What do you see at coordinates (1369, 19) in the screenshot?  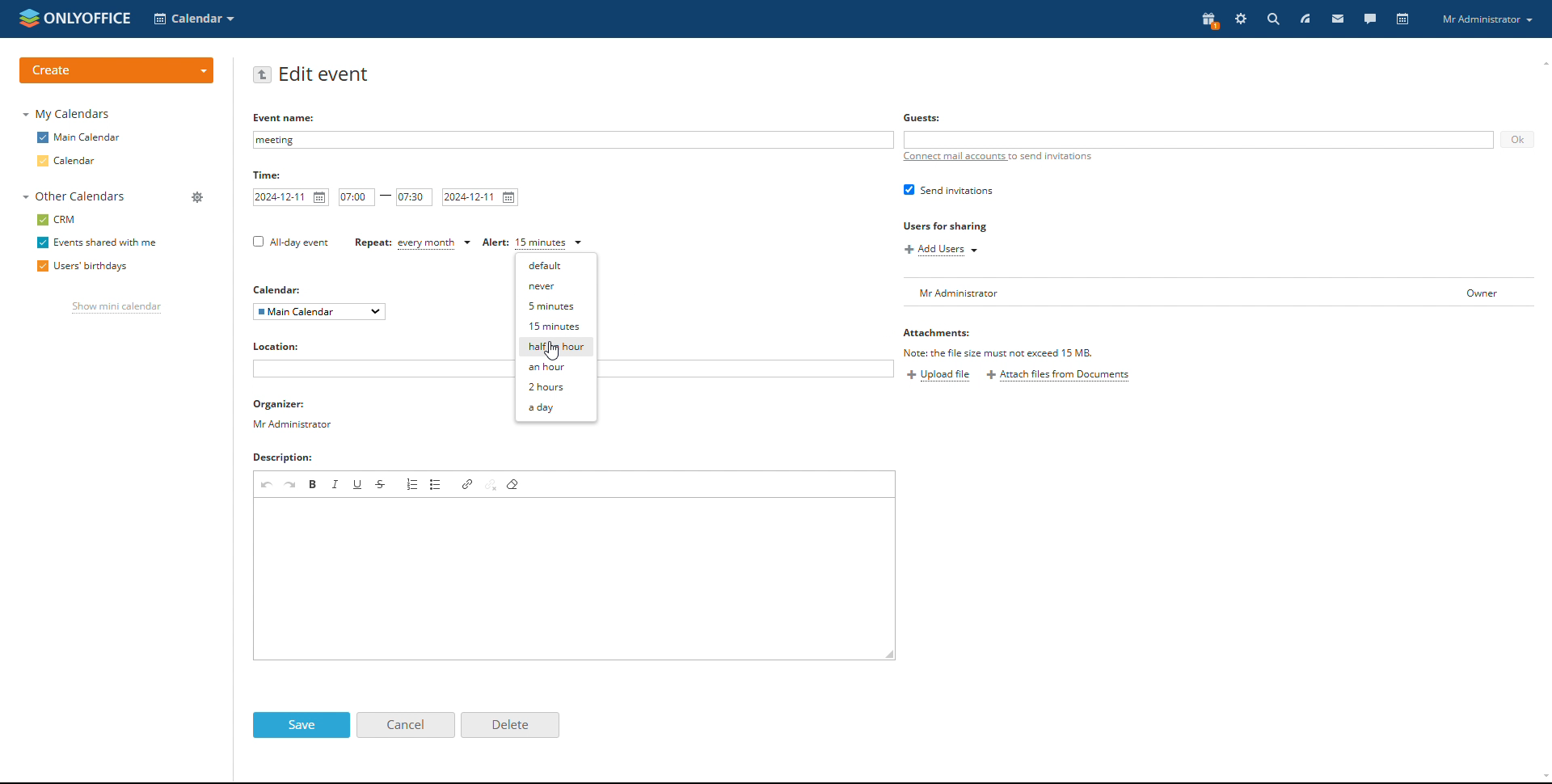 I see `talk` at bounding box center [1369, 19].